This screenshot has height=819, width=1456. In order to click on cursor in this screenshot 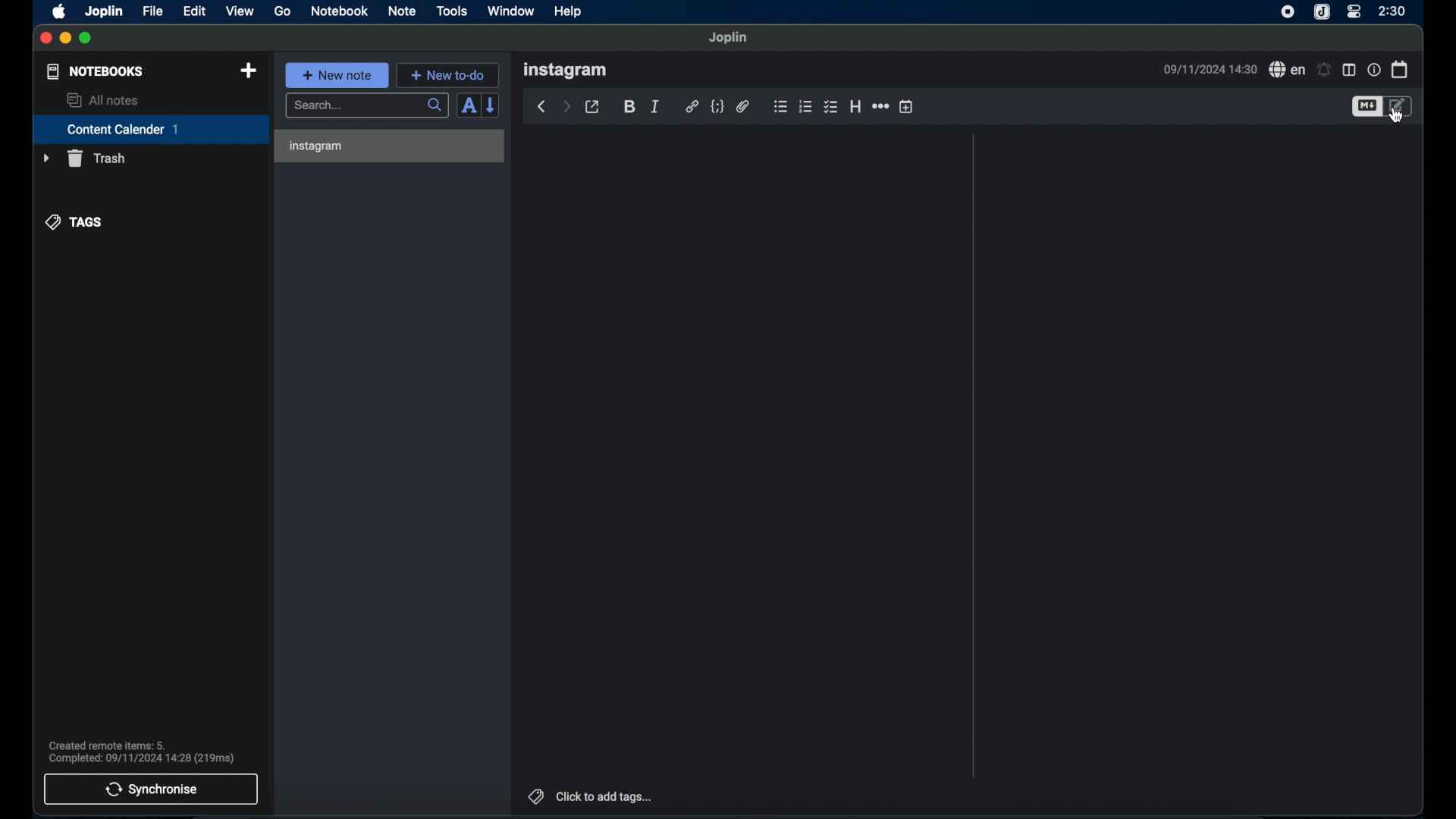, I will do `click(1397, 116)`.